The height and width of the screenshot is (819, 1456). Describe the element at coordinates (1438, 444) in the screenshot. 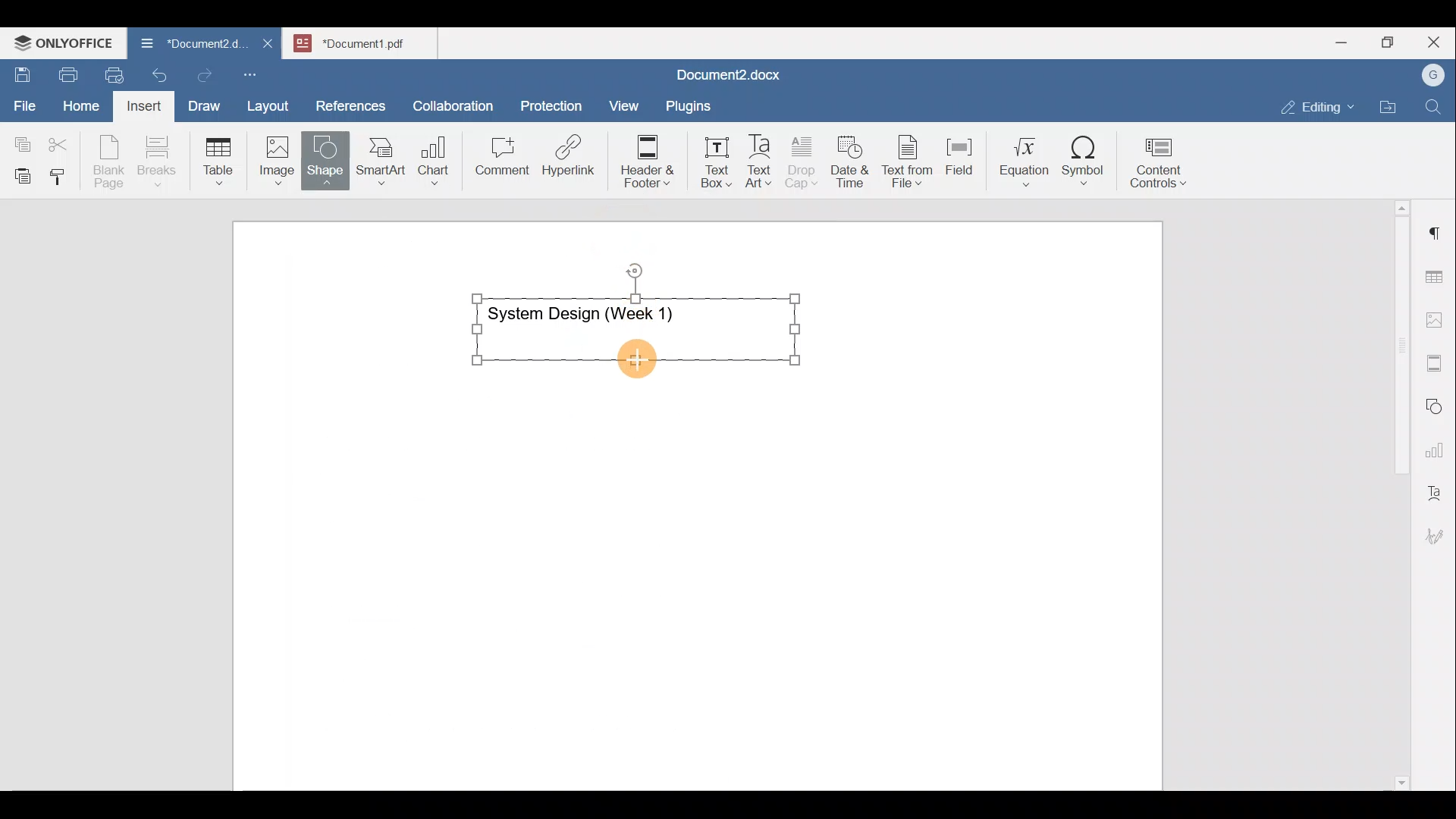

I see `Chart settings` at that location.